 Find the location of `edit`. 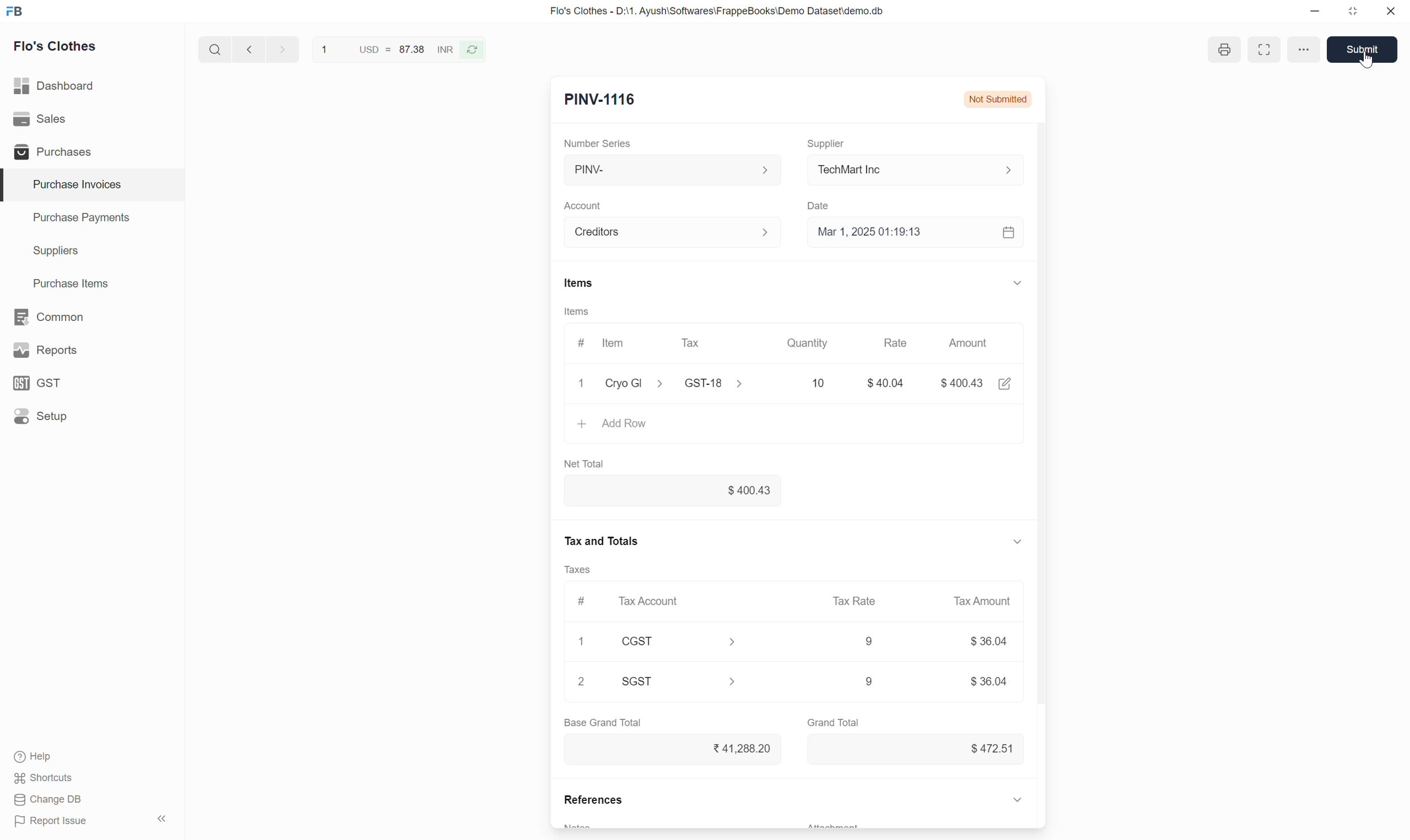

edit is located at coordinates (1006, 385).